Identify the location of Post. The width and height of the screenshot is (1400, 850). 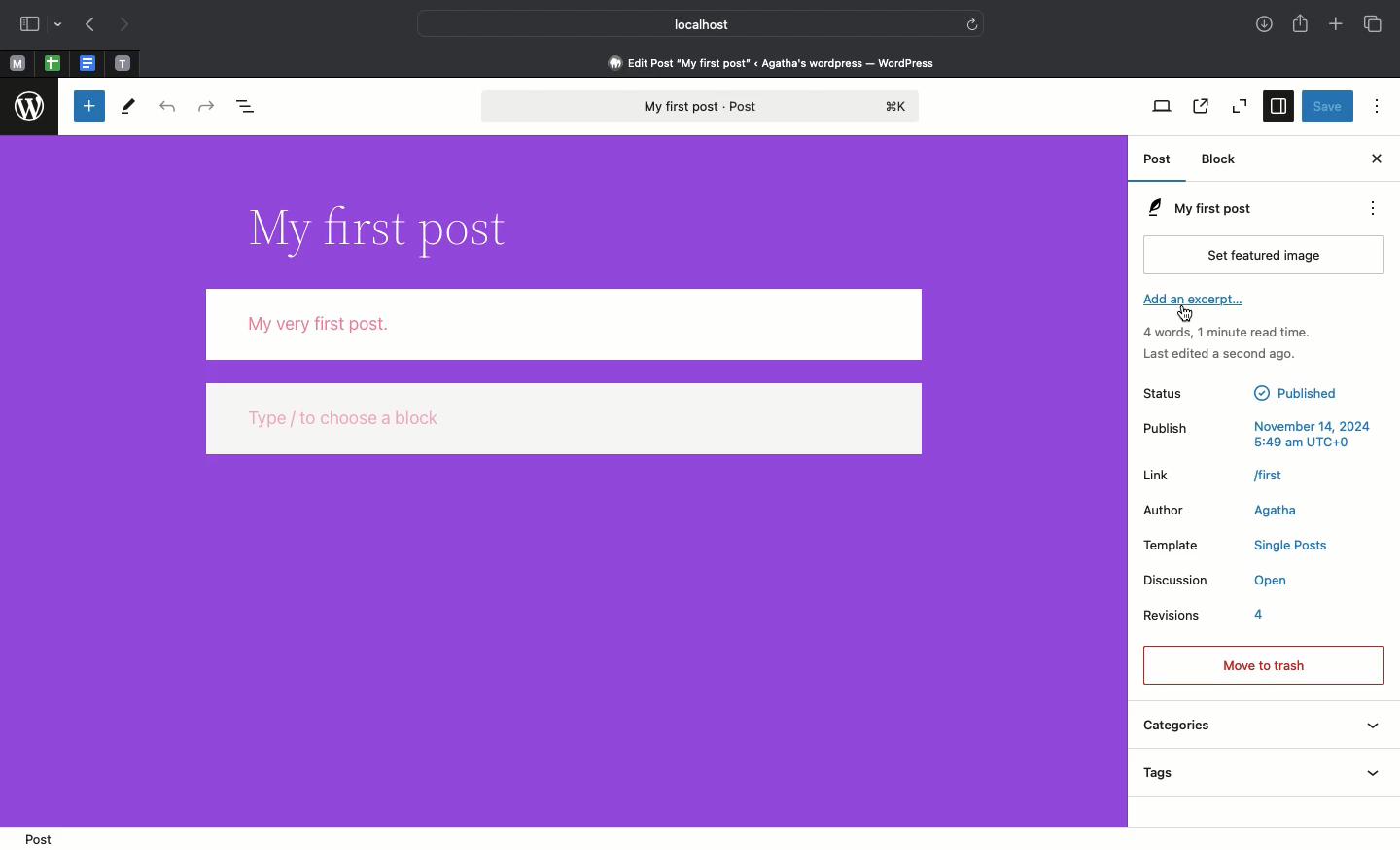
(1160, 162).